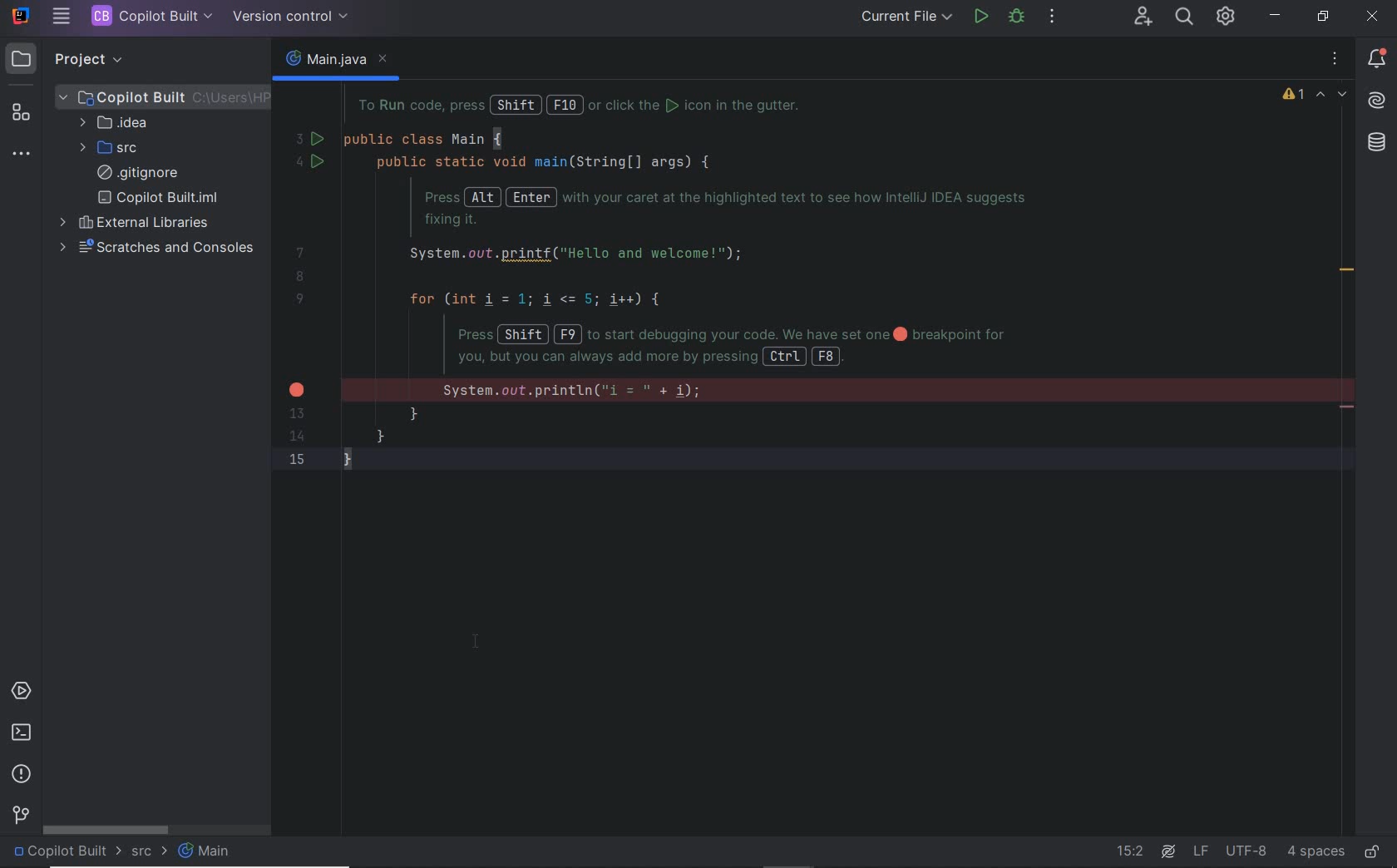  Describe the element at coordinates (301, 298) in the screenshot. I see `9` at that location.